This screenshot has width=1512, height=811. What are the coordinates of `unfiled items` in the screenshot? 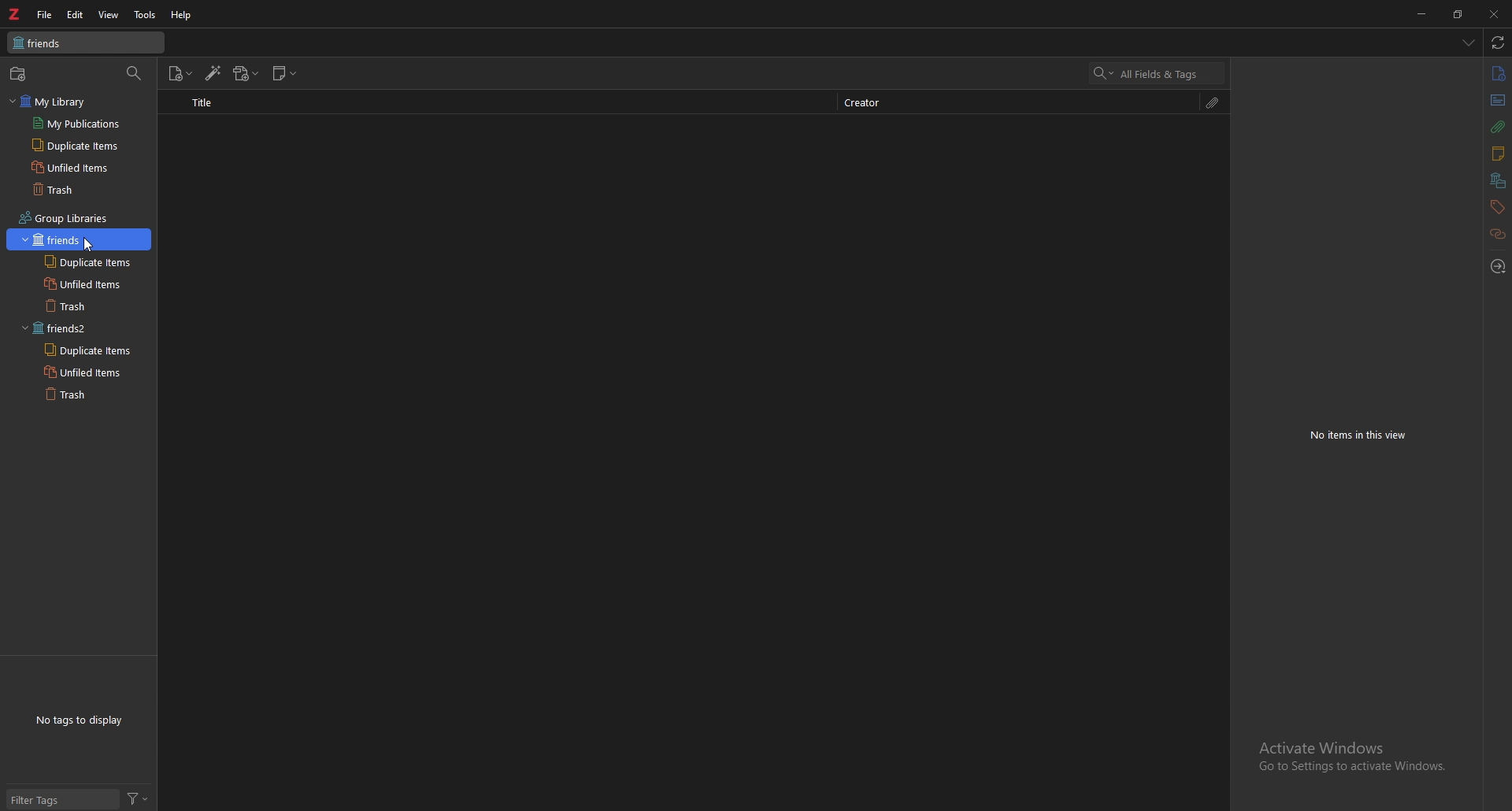 It's located at (90, 372).